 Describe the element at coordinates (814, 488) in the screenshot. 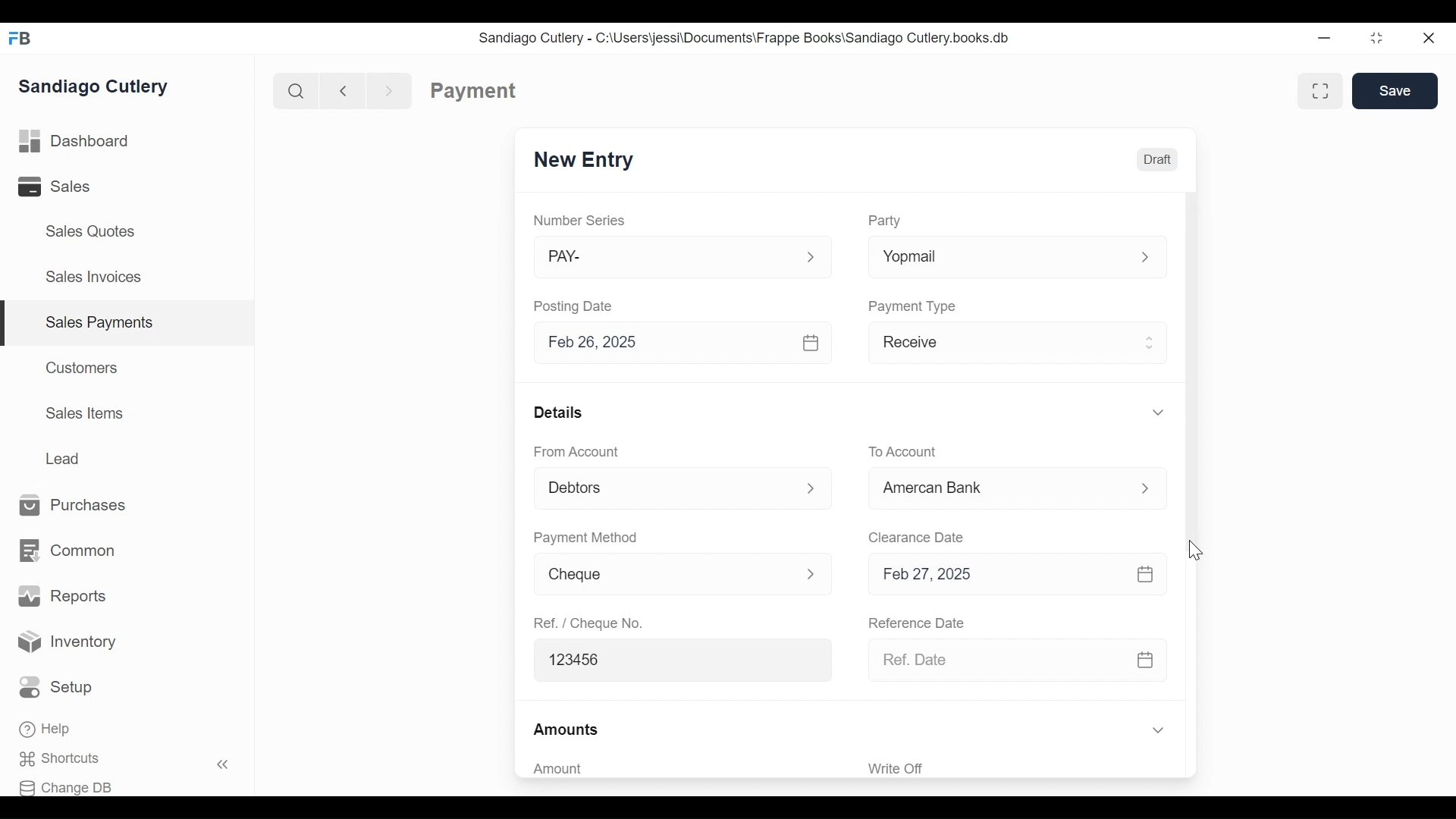

I see `Expand` at that location.